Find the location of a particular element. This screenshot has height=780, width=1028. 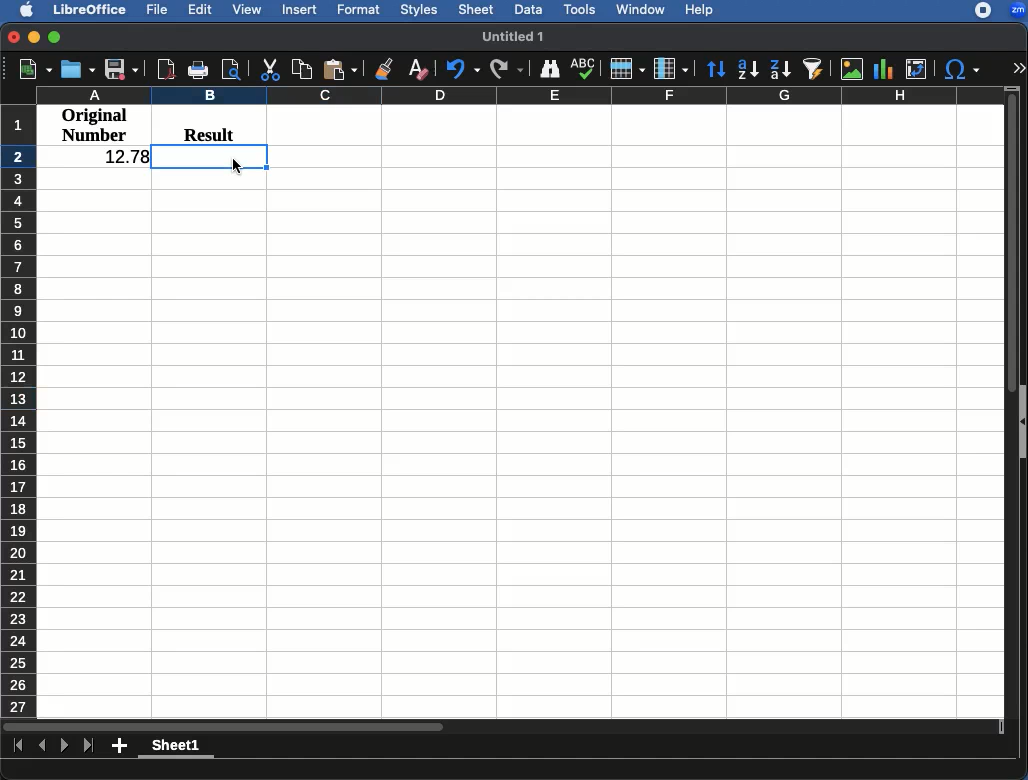

Untitled1 is located at coordinates (516, 36).